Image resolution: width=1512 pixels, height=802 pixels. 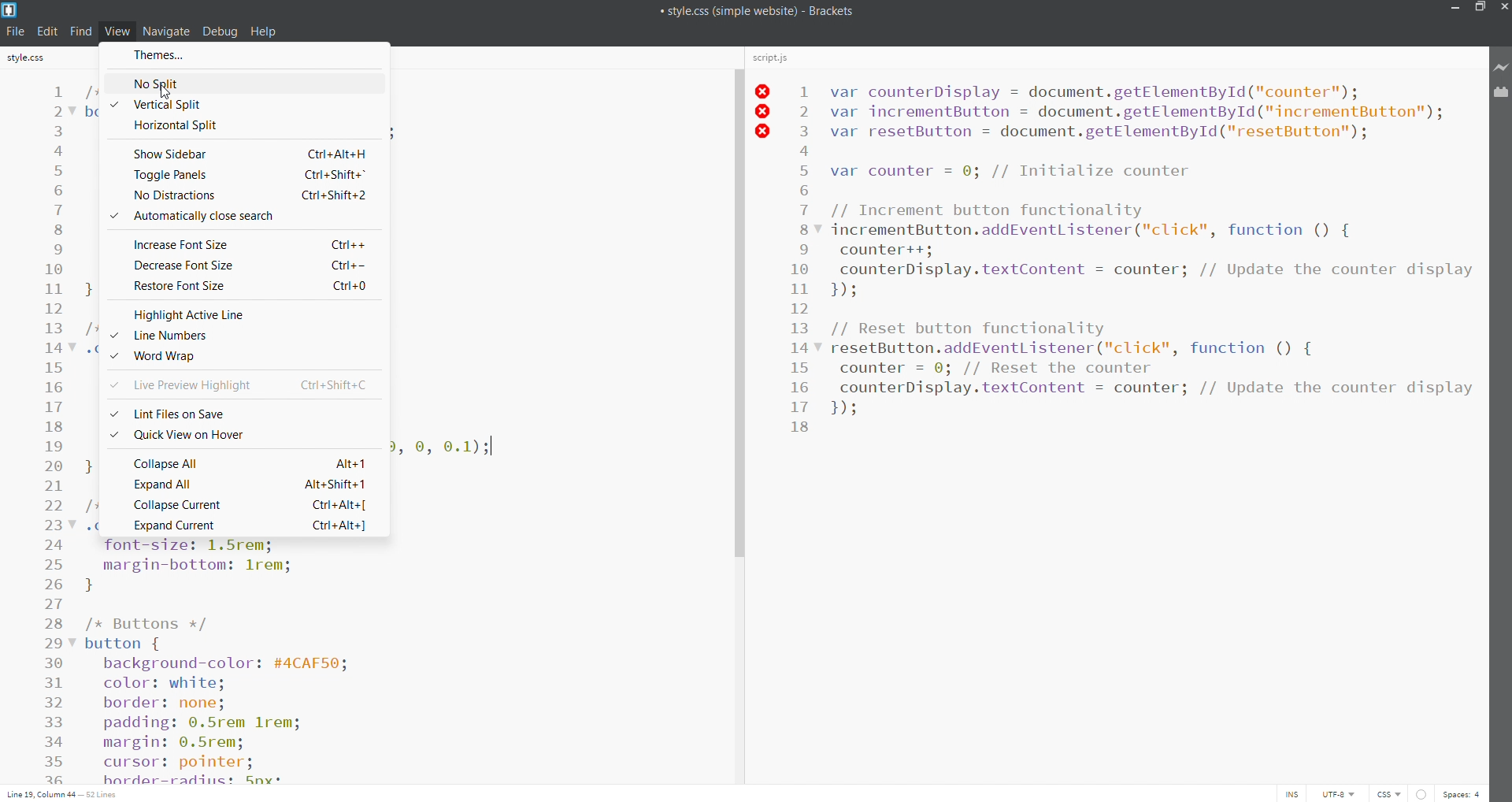 What do you see at coordinates (241, 264) in the screenshot?
I see `decrease font size` at bounding box center [241, 264].